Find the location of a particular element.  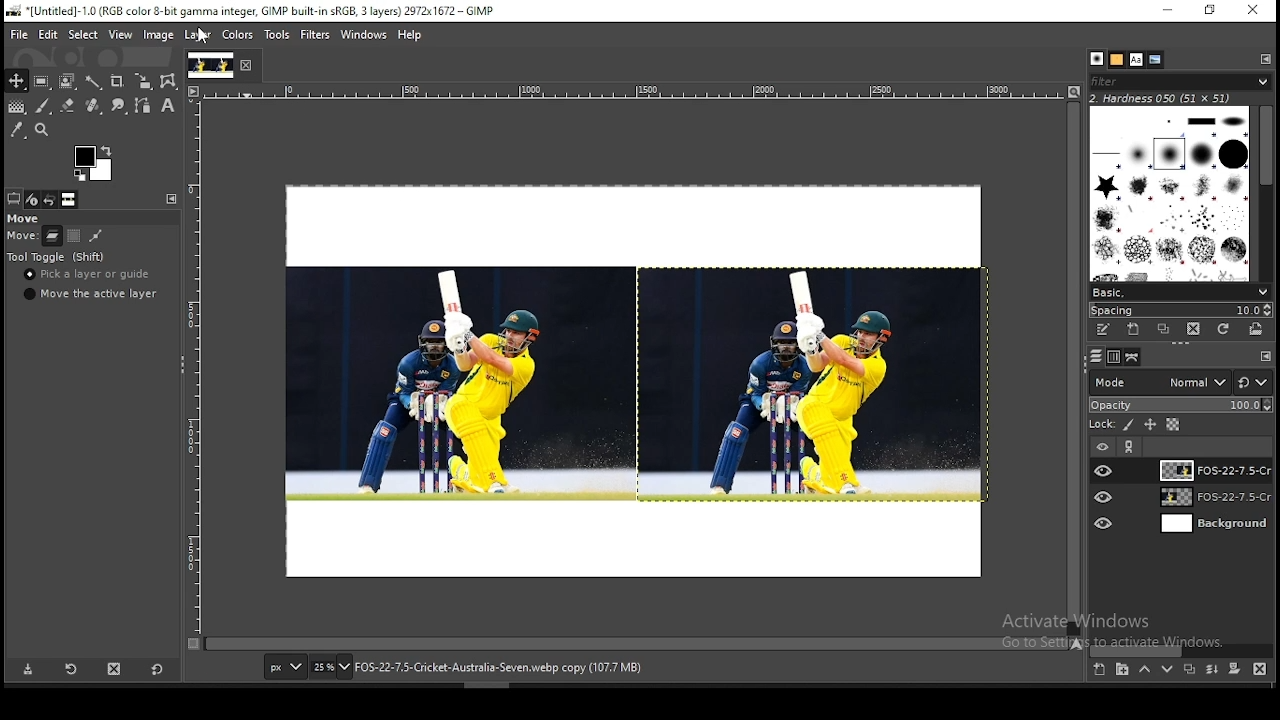

heal tool is located at coordinates (91, 107).